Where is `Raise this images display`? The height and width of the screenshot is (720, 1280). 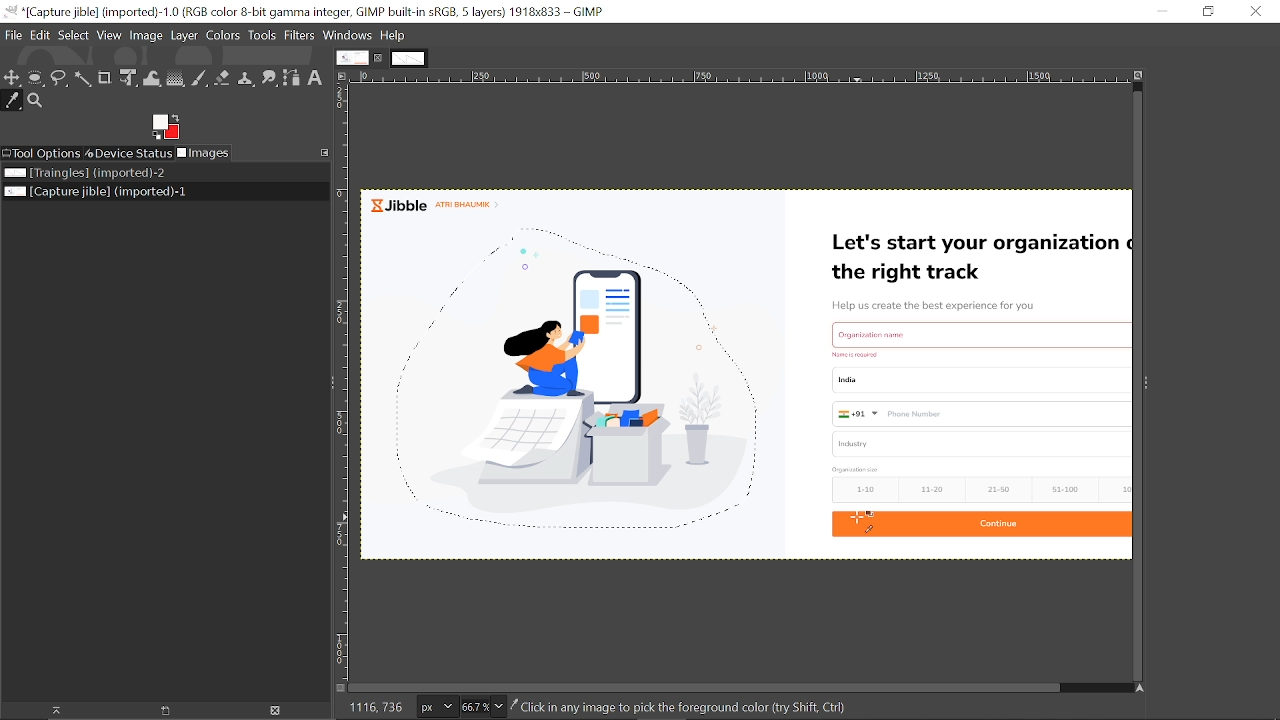
Raise this images display is located at coordinates (49, 711).